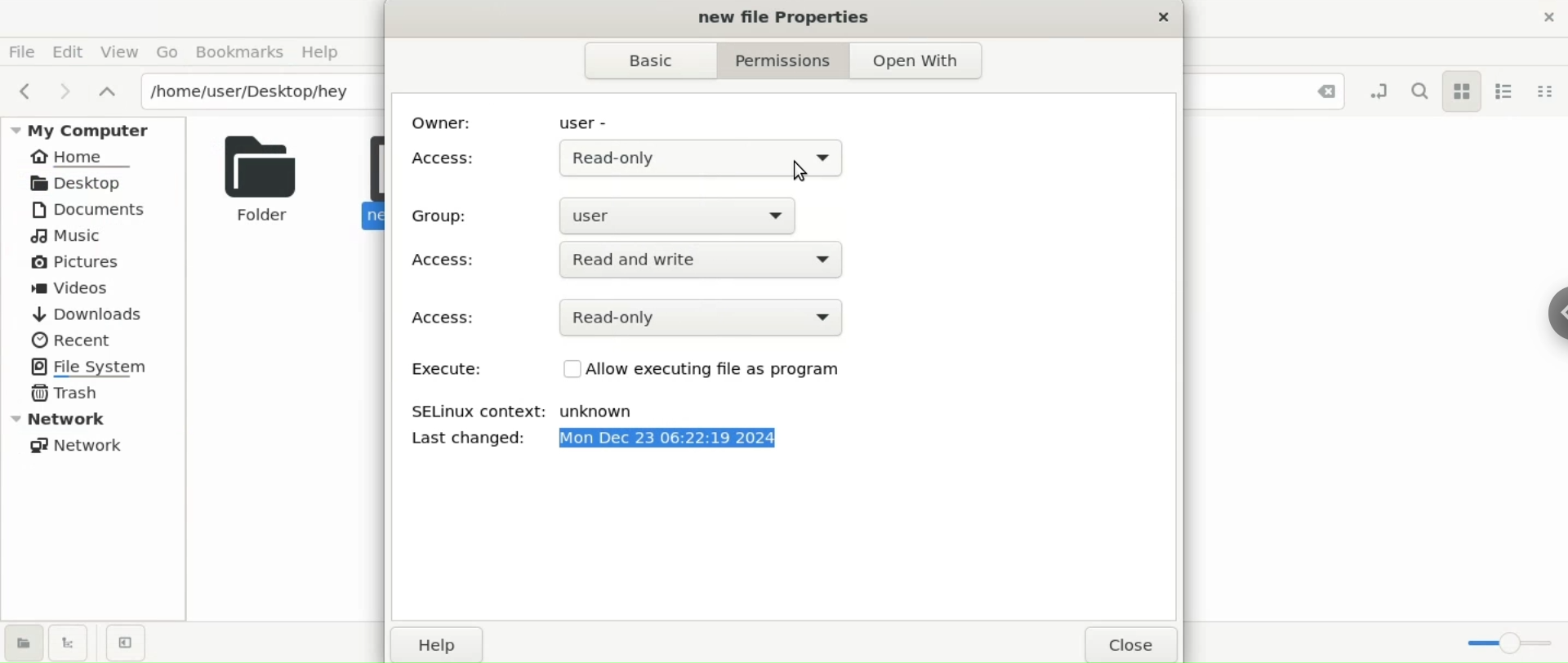  What do you see at coordinates (69, 238) in the screenshot?
I see `Music` at bounding box center [69, 238].